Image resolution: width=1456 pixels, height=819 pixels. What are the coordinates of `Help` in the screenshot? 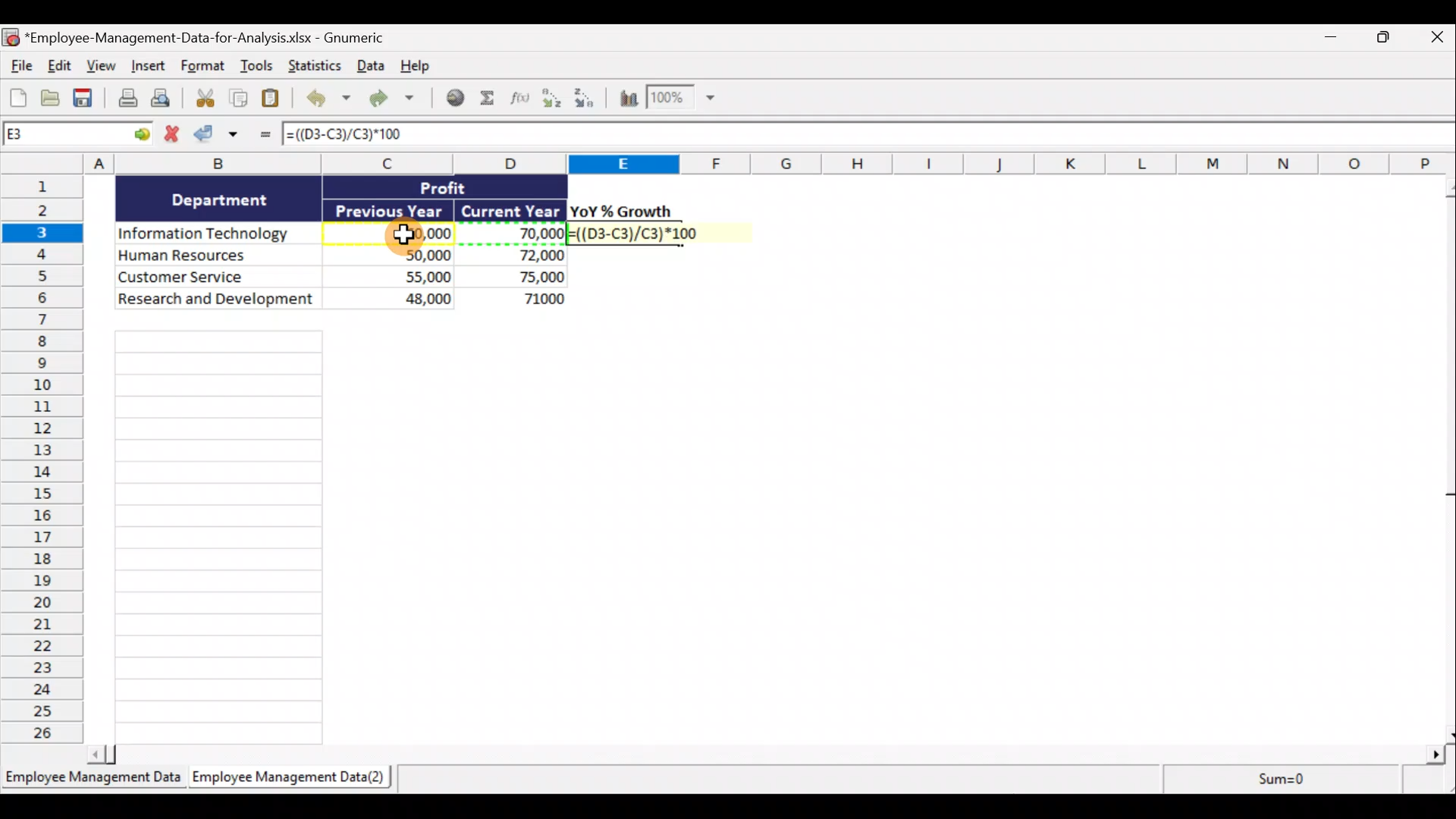 It's located at (415, 67).